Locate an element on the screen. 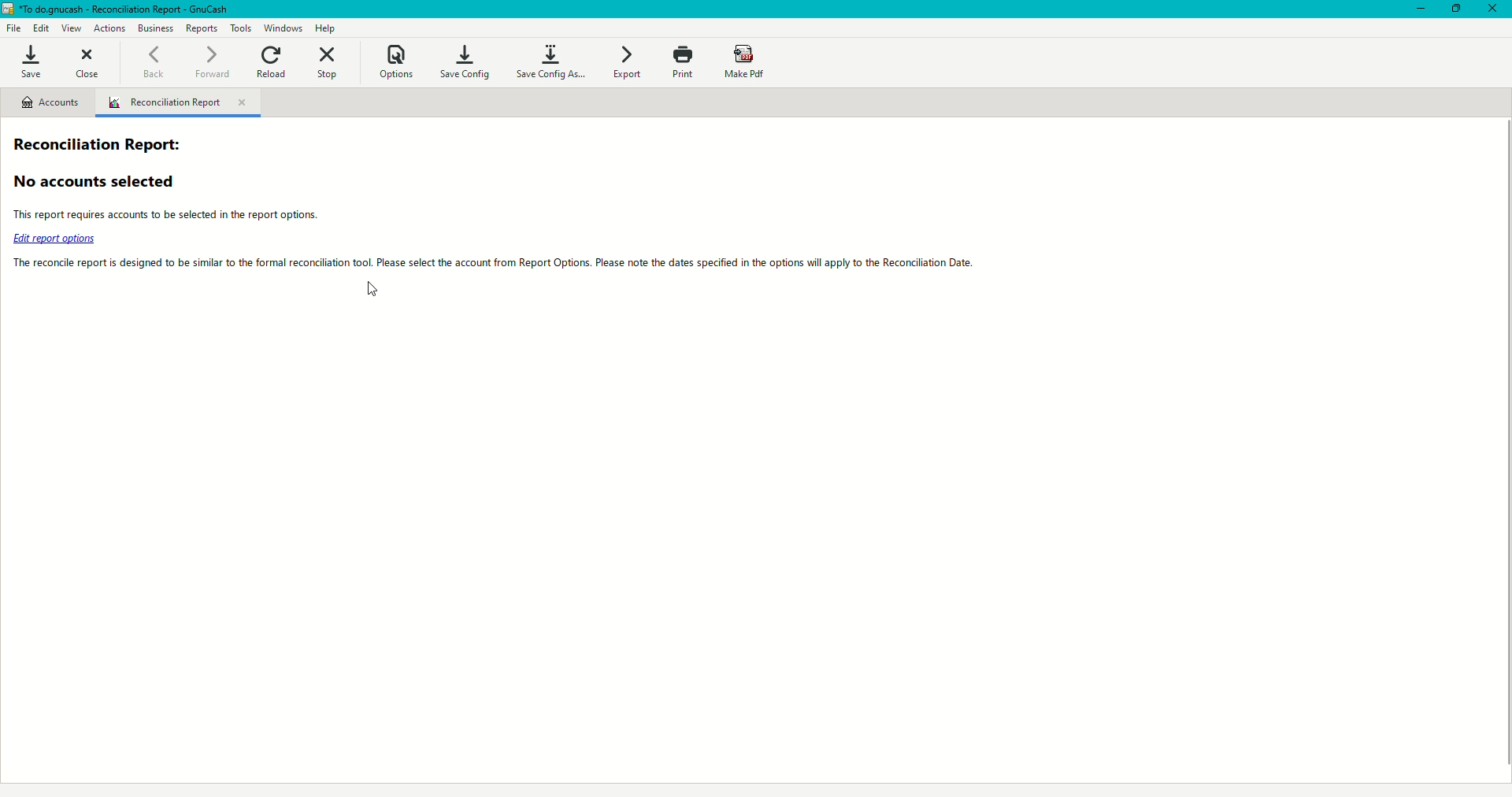  Close is located at coordinates (85, 62).